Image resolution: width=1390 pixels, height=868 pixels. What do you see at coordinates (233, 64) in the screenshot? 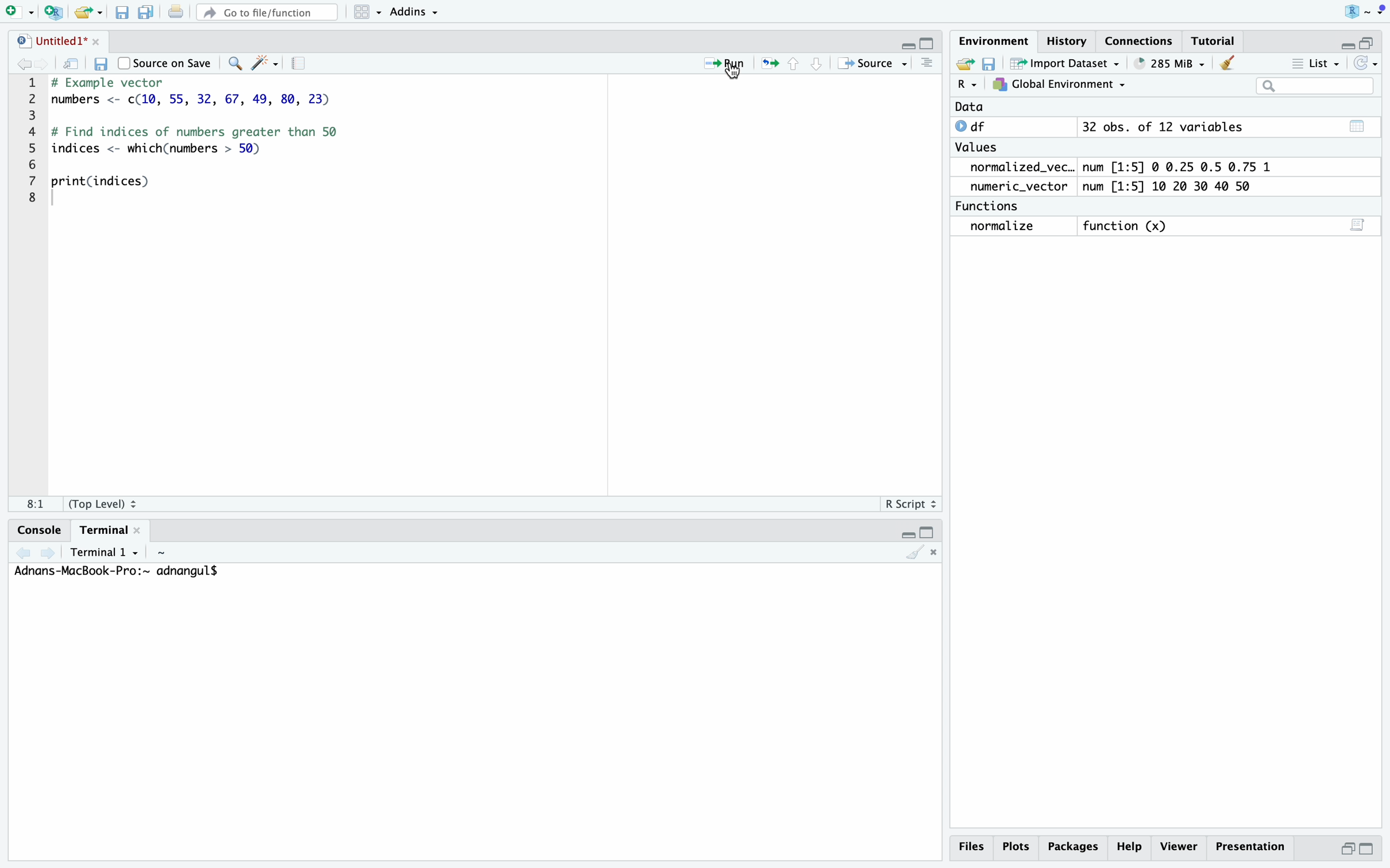
I see `search` at bounding box center [233, 64].